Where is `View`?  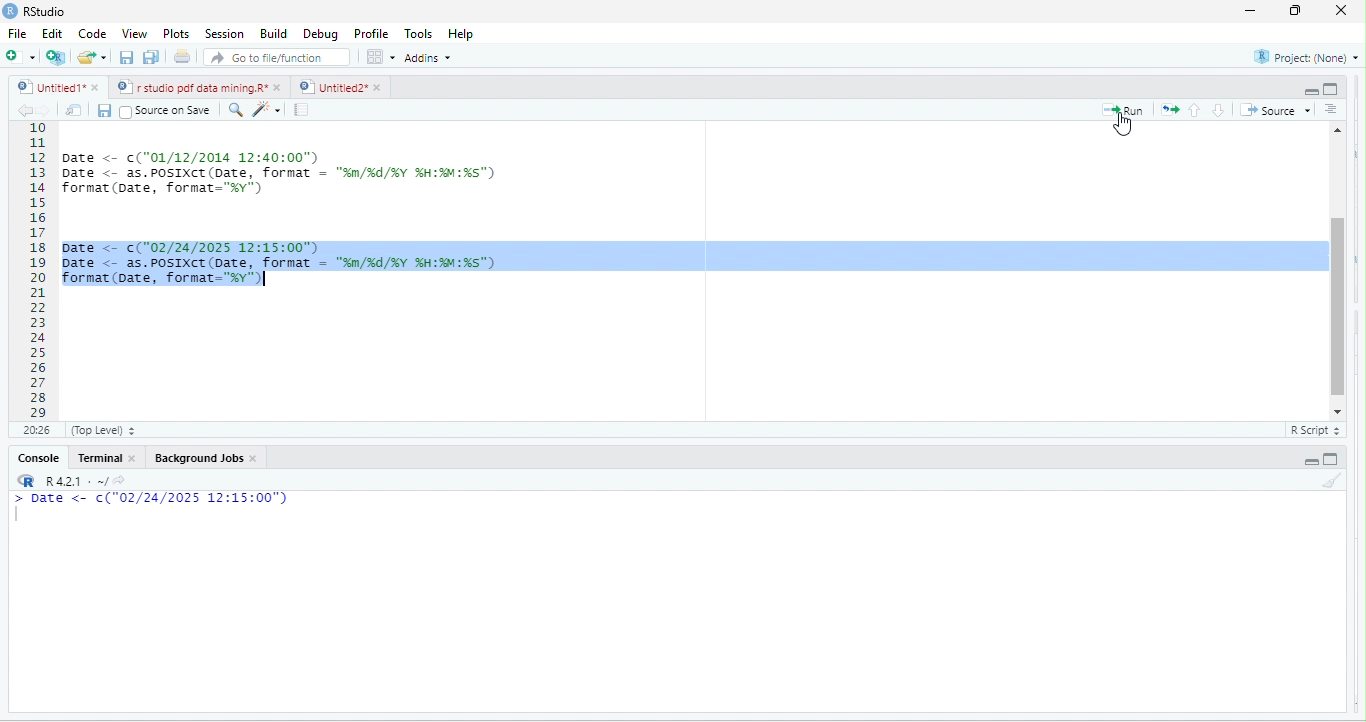 View is located at coordinates (134, 33).